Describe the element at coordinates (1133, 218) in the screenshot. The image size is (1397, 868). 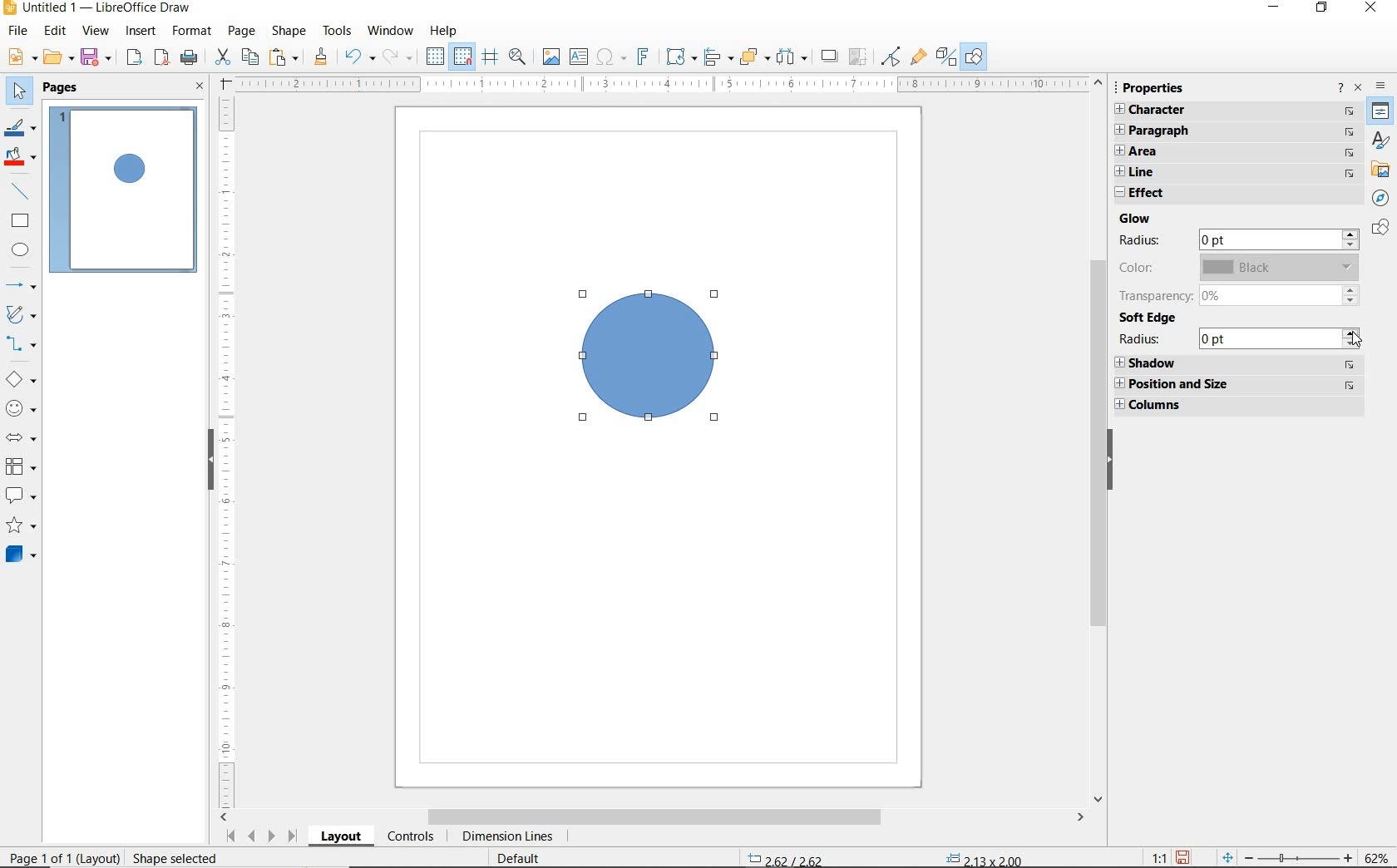
I see `GLOW` at that location.